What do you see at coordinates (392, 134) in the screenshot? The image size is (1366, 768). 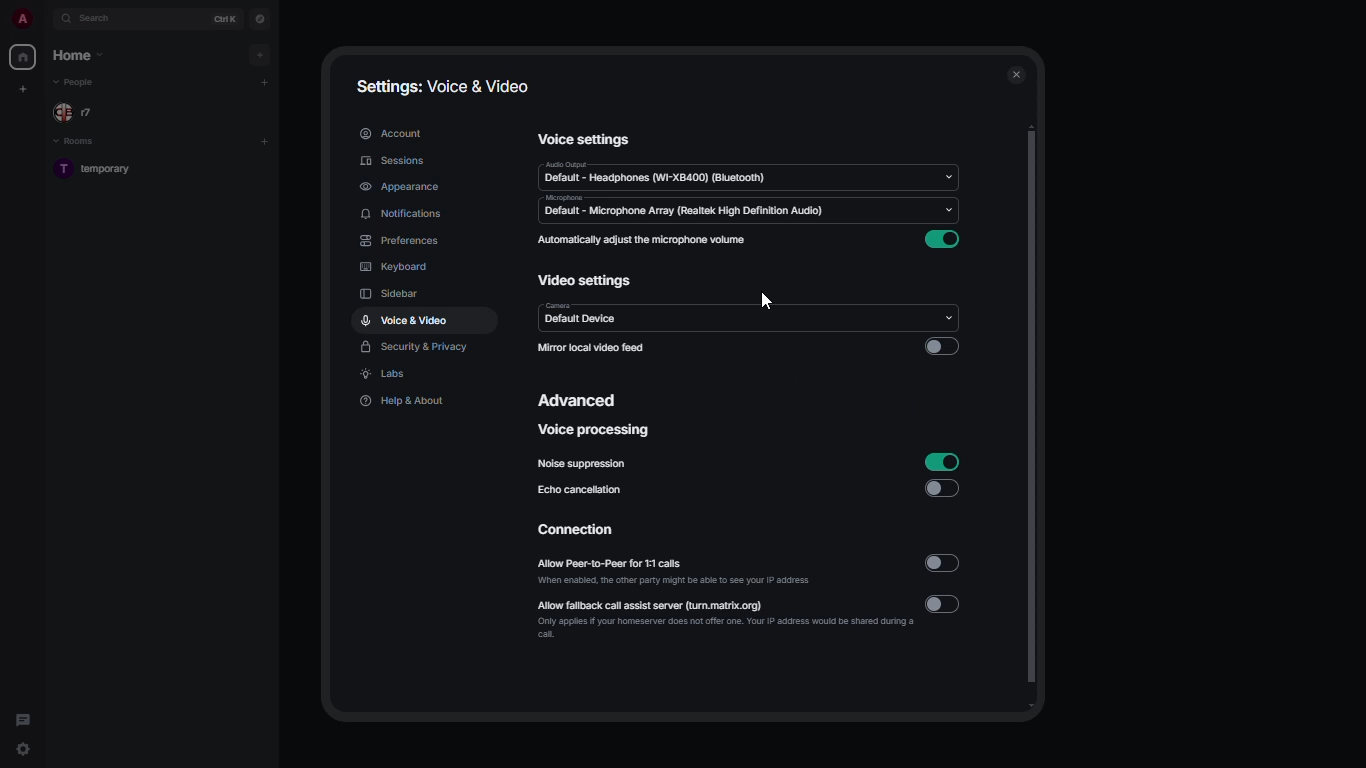 I see `account` at bounding box center [392, 134].